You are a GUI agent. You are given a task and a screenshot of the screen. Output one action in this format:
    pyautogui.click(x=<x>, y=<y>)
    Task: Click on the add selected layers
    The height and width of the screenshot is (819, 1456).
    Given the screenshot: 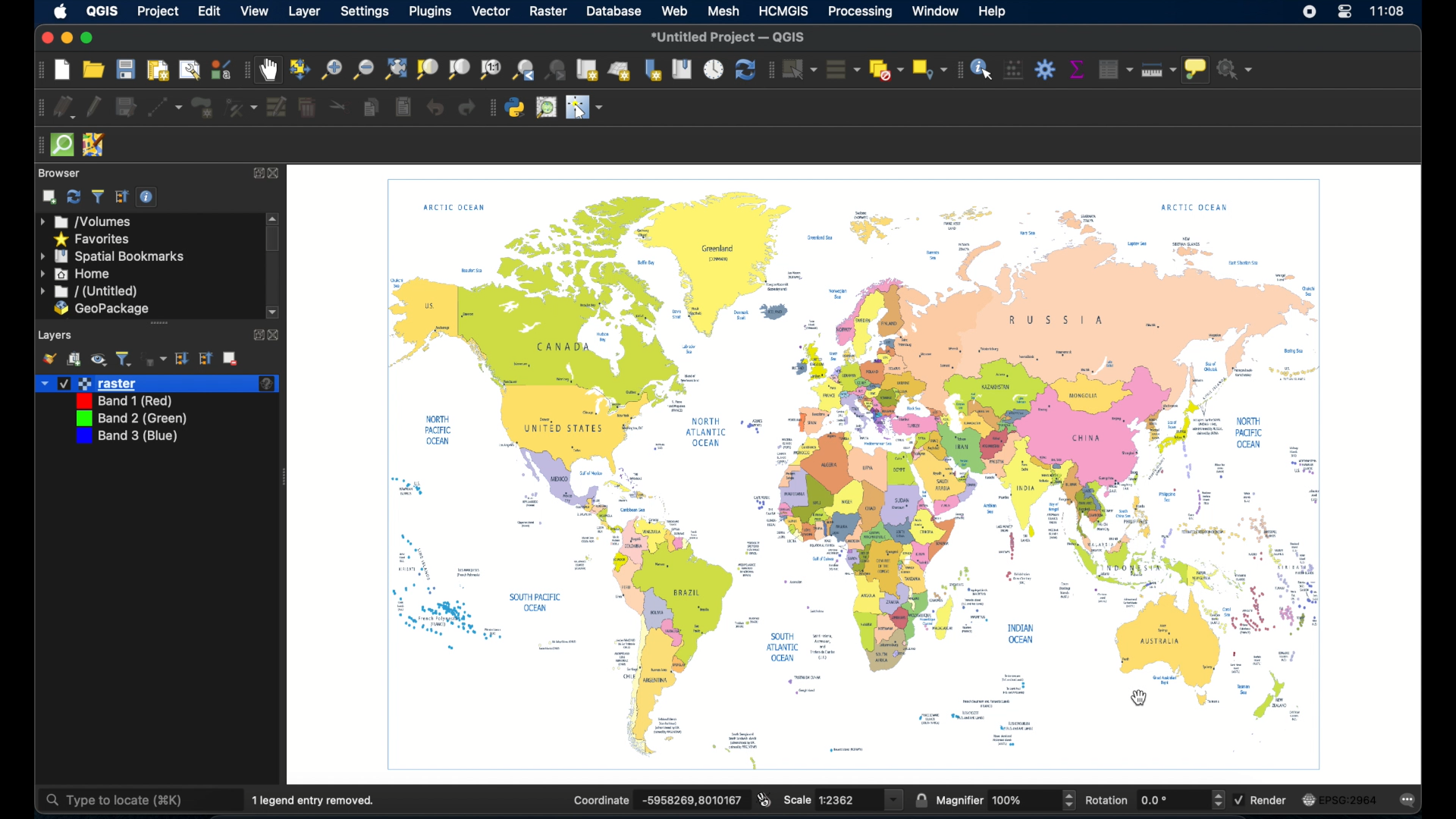 What is the action you would take?
    pyautogui.click(x=49, y=197)
    